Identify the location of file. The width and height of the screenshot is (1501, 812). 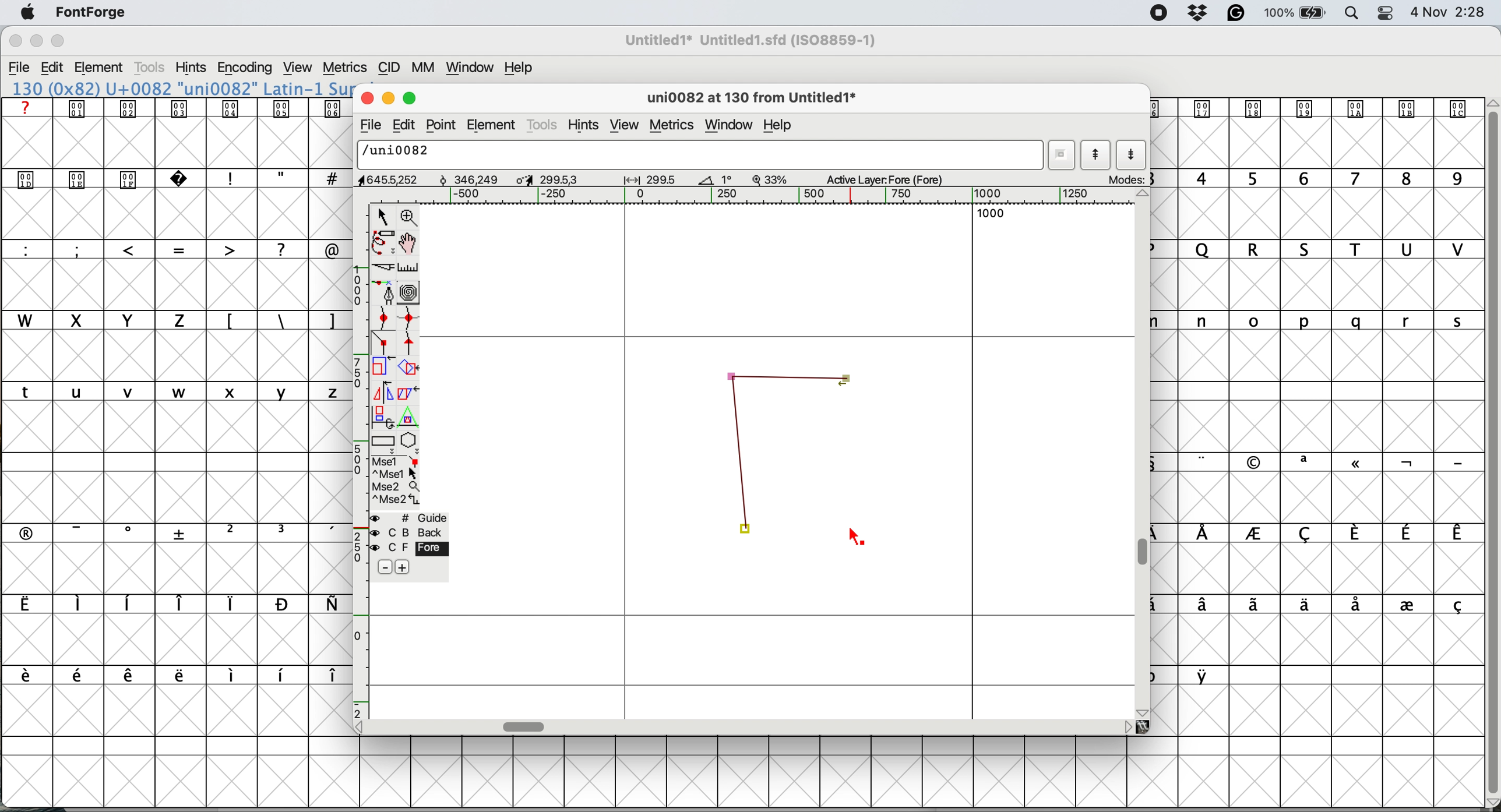
(369, 125).